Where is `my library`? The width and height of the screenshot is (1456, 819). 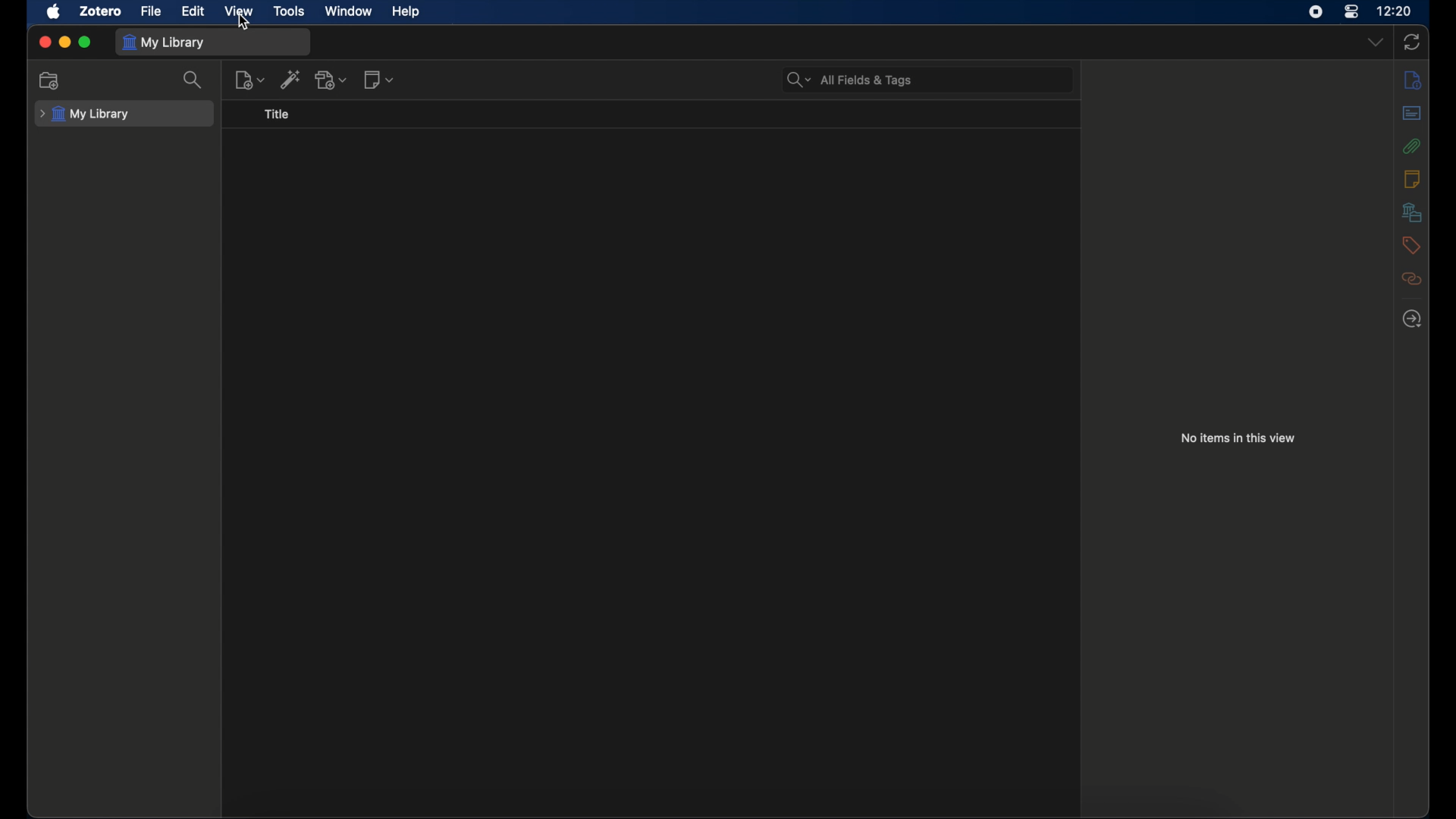
my library is located at coordinates (83, 115).